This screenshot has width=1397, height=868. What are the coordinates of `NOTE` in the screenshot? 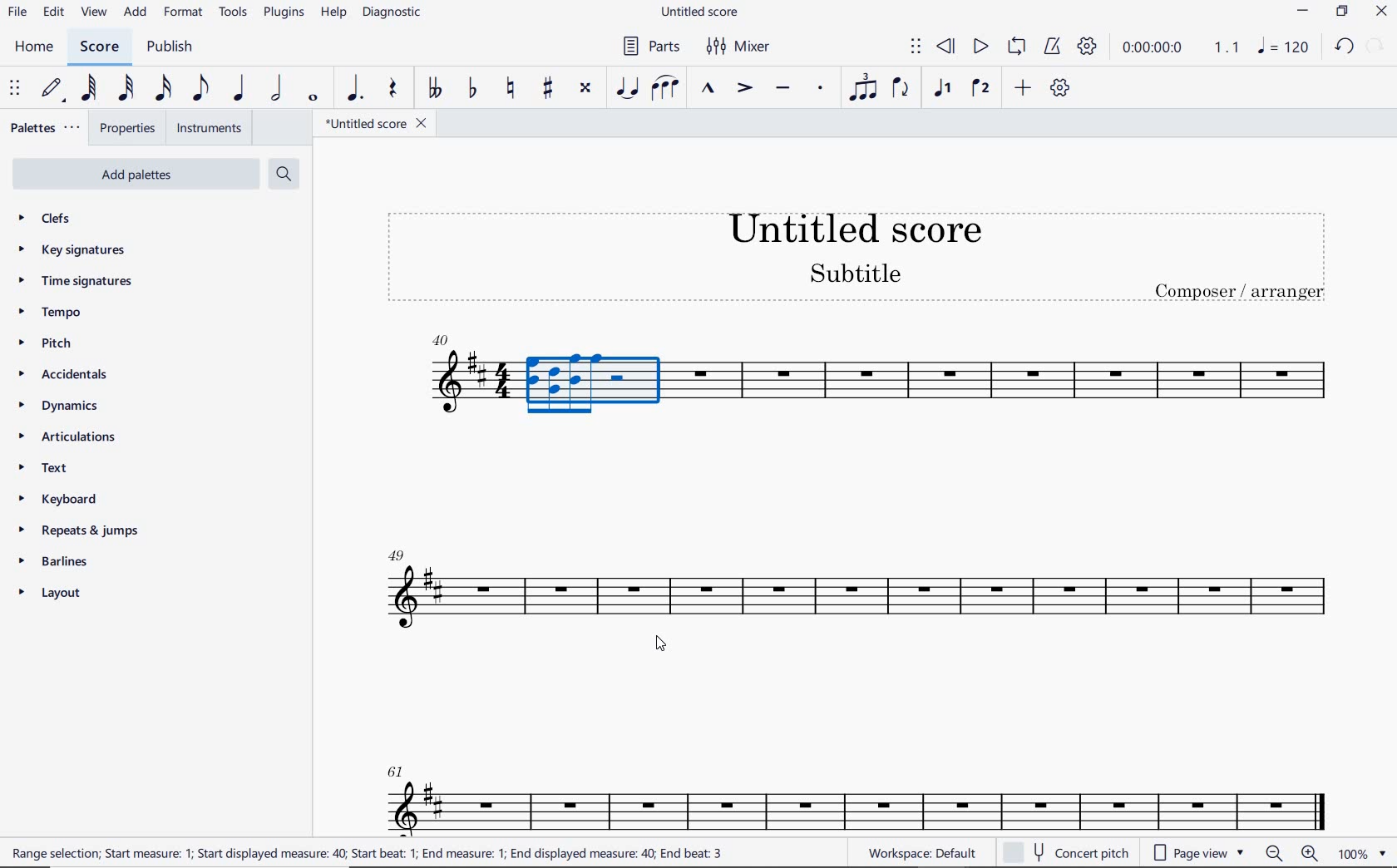 It's located at (1282, 47).